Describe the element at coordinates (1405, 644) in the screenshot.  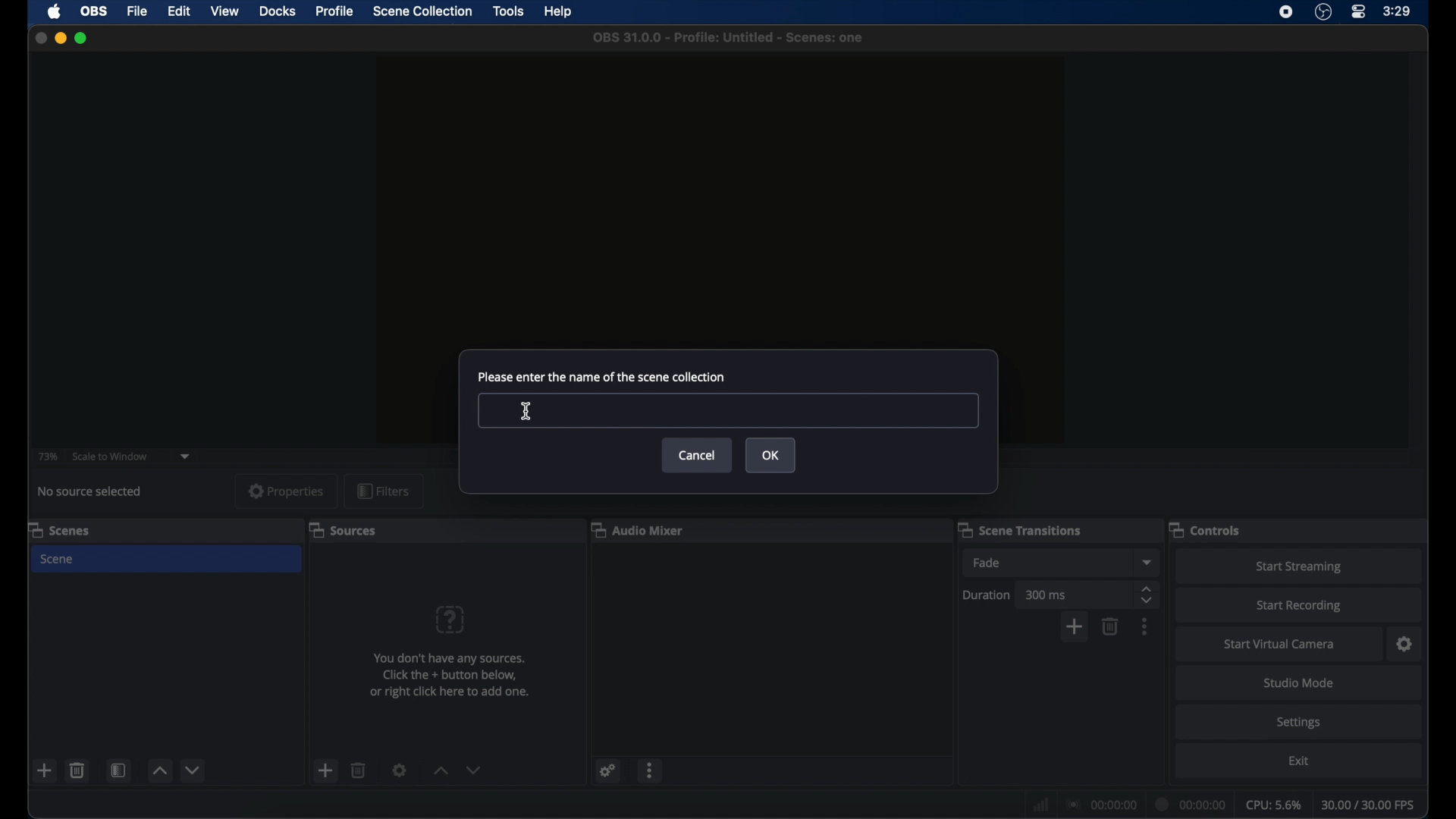
I see `settings` at that location.